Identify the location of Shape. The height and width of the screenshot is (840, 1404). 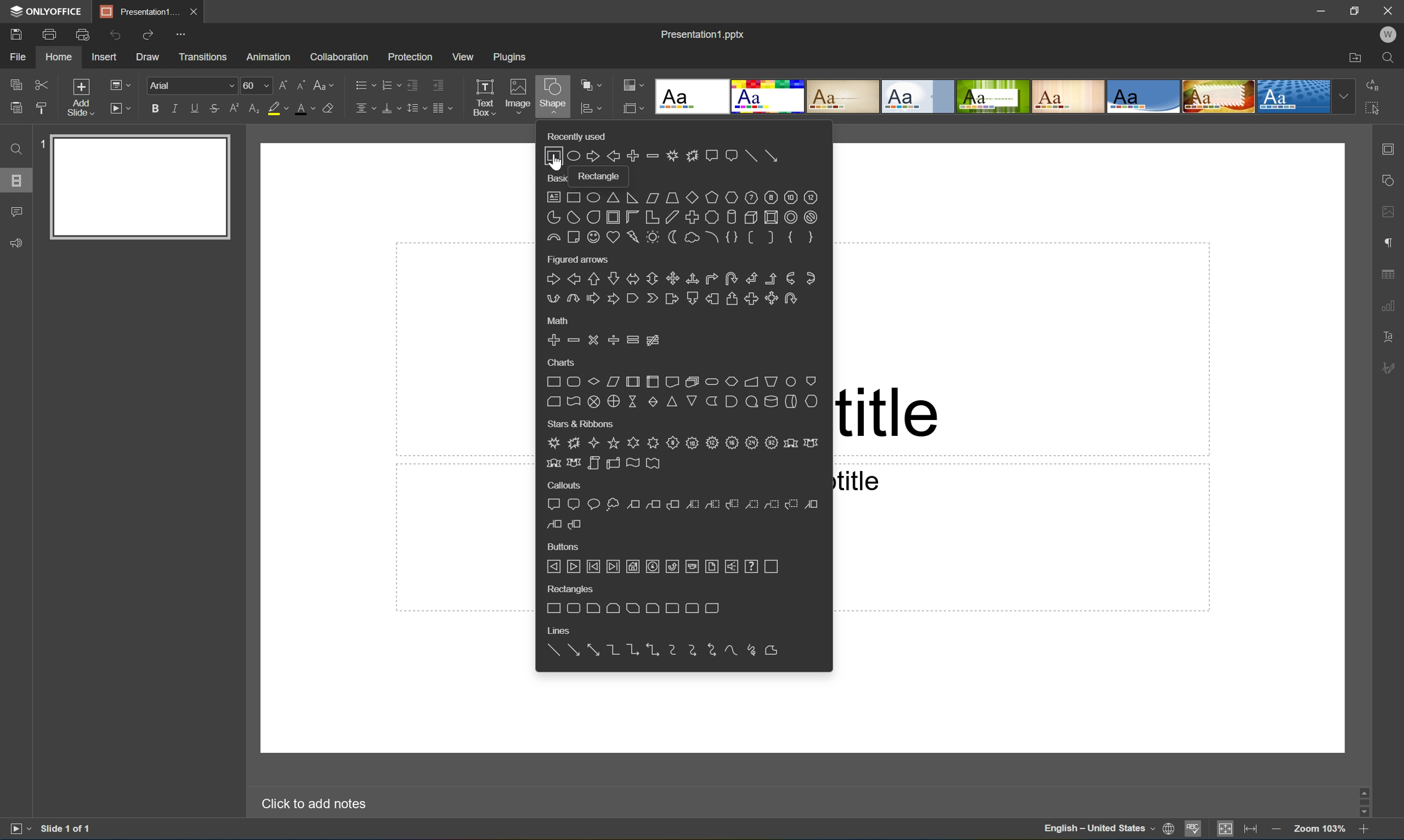
(551, 97).